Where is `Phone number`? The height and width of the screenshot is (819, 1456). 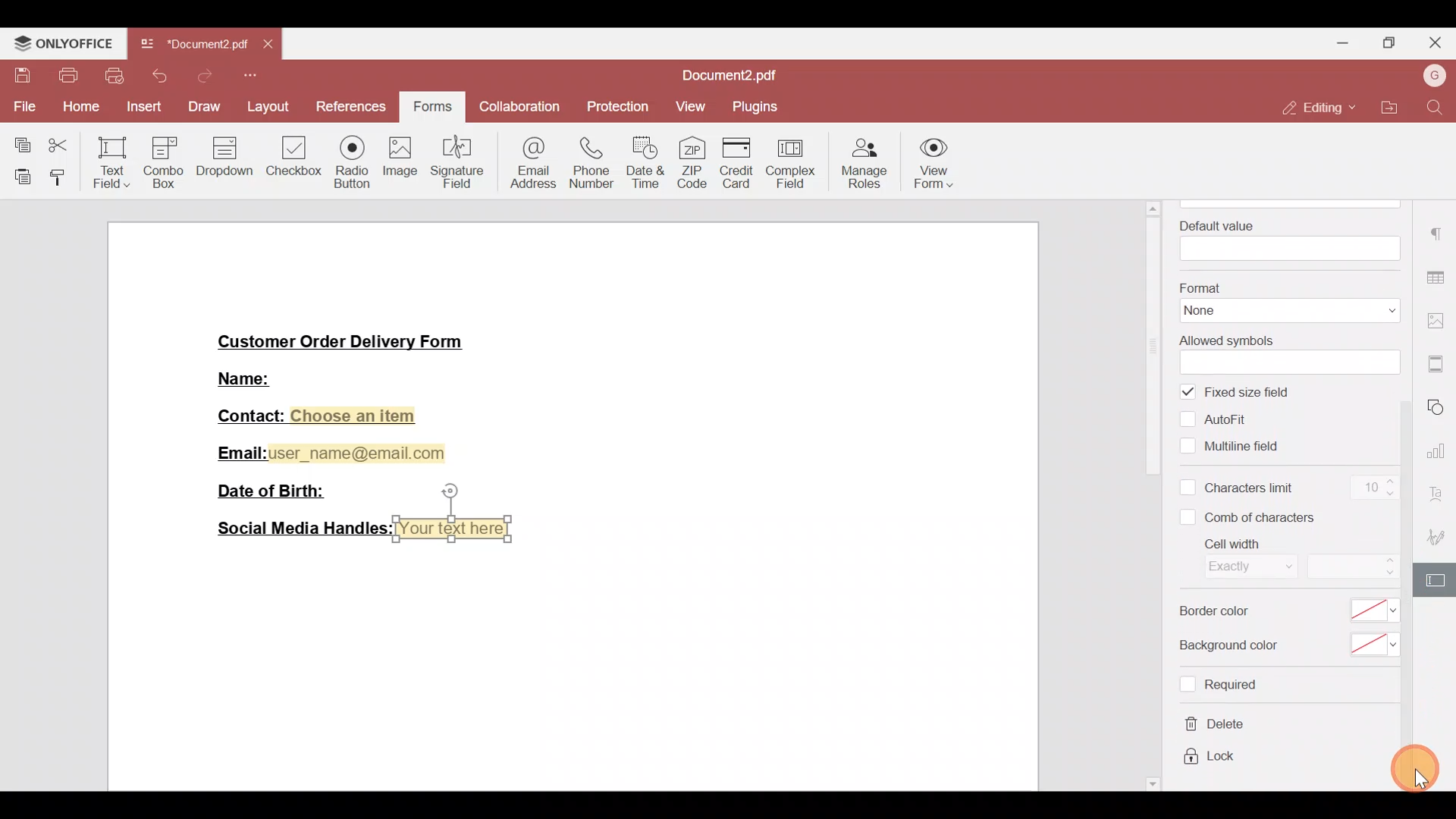 Phone number is located at coordinates (586, 163).